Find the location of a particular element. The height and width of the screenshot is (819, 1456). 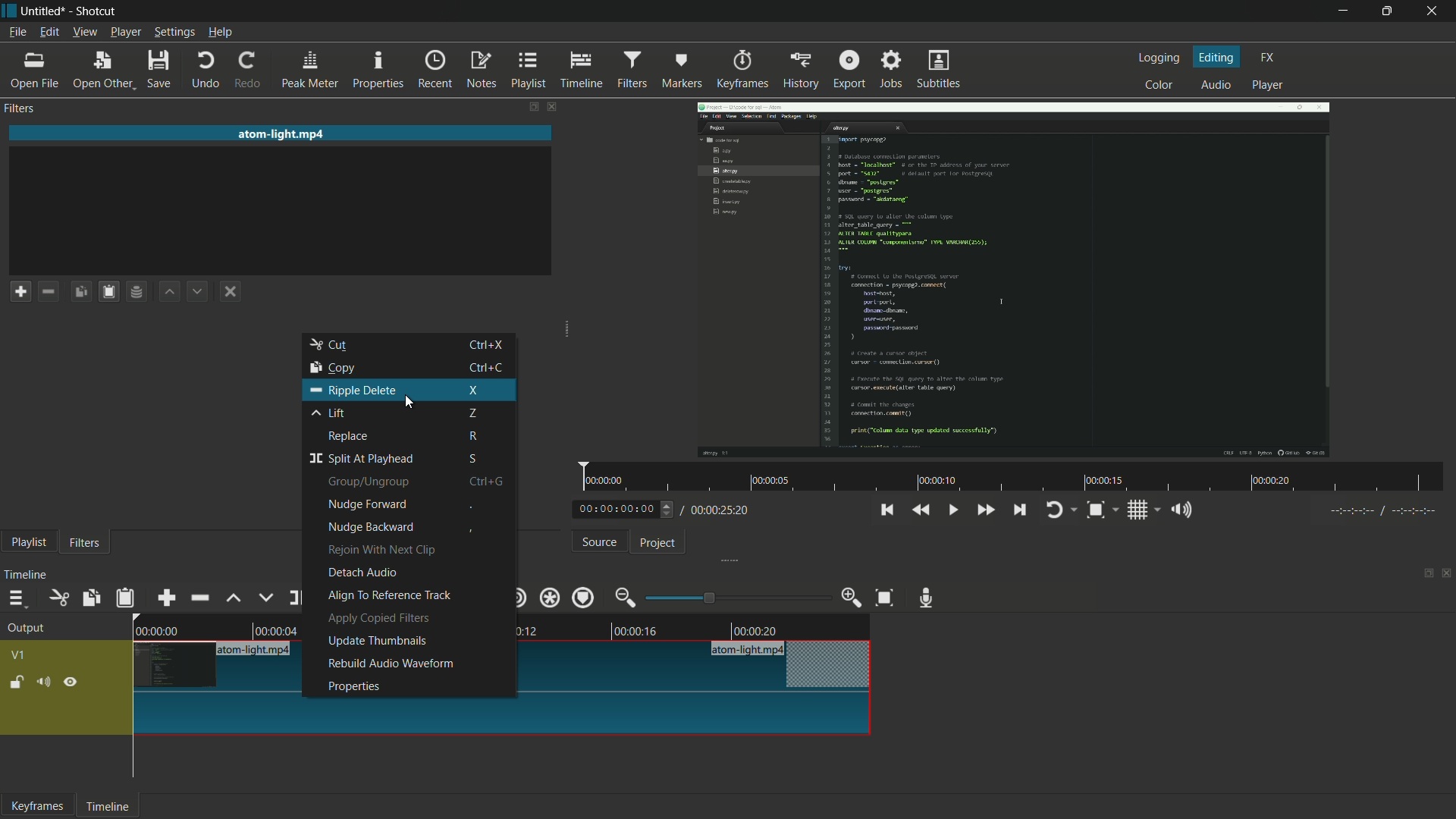

move out is located at coordinates (625, 598).